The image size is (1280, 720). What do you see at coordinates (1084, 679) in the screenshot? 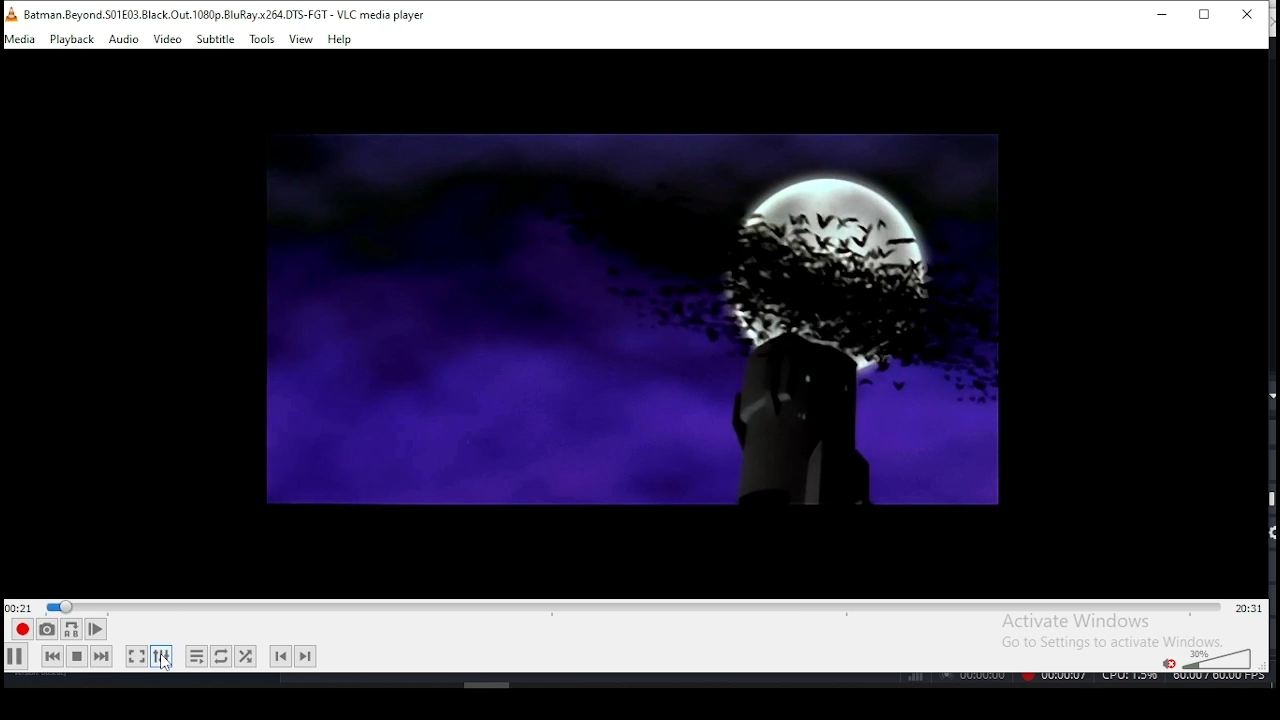
I see `` at bounding box center [1084, 679].